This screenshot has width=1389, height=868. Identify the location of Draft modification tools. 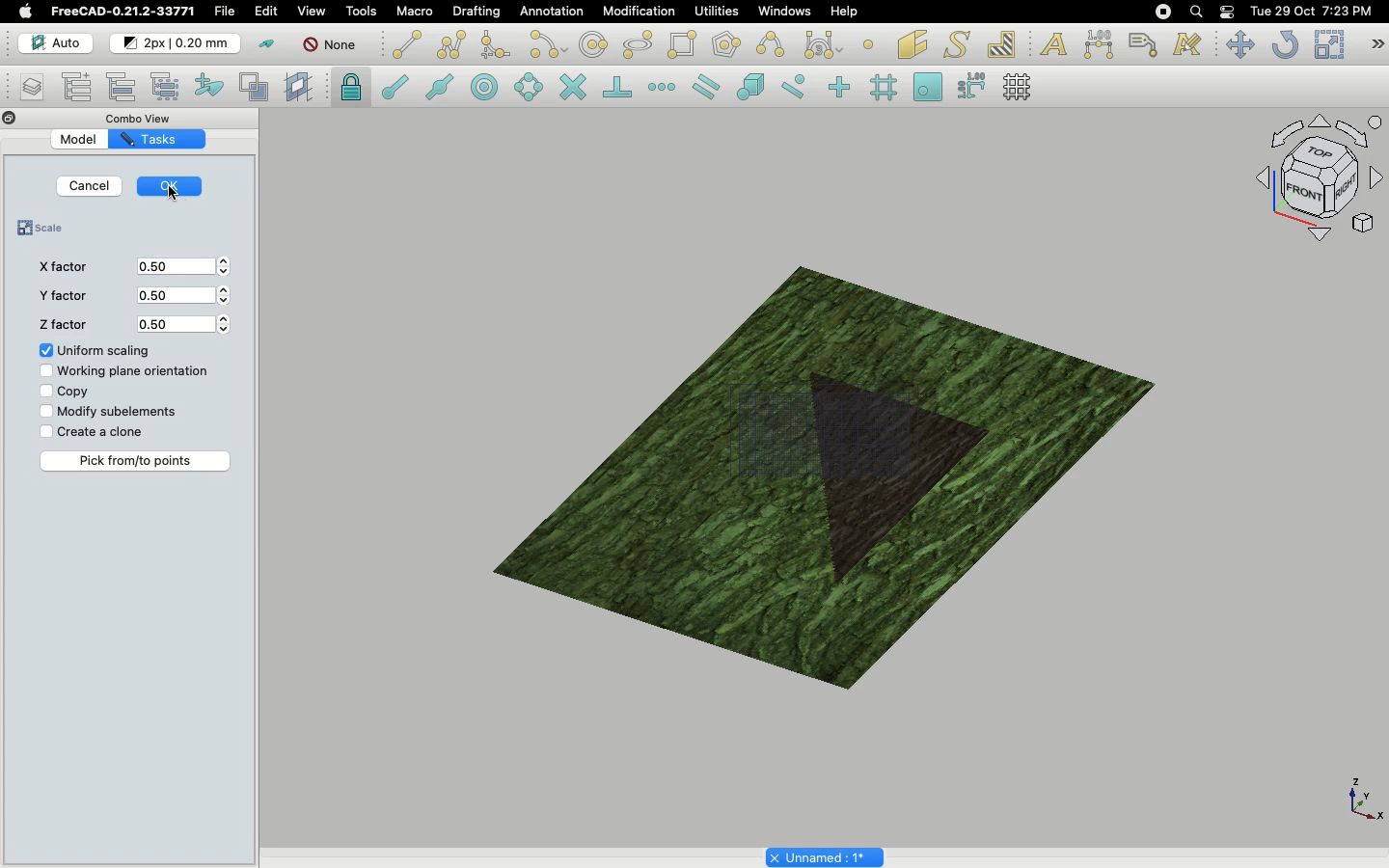
(1377, 44).